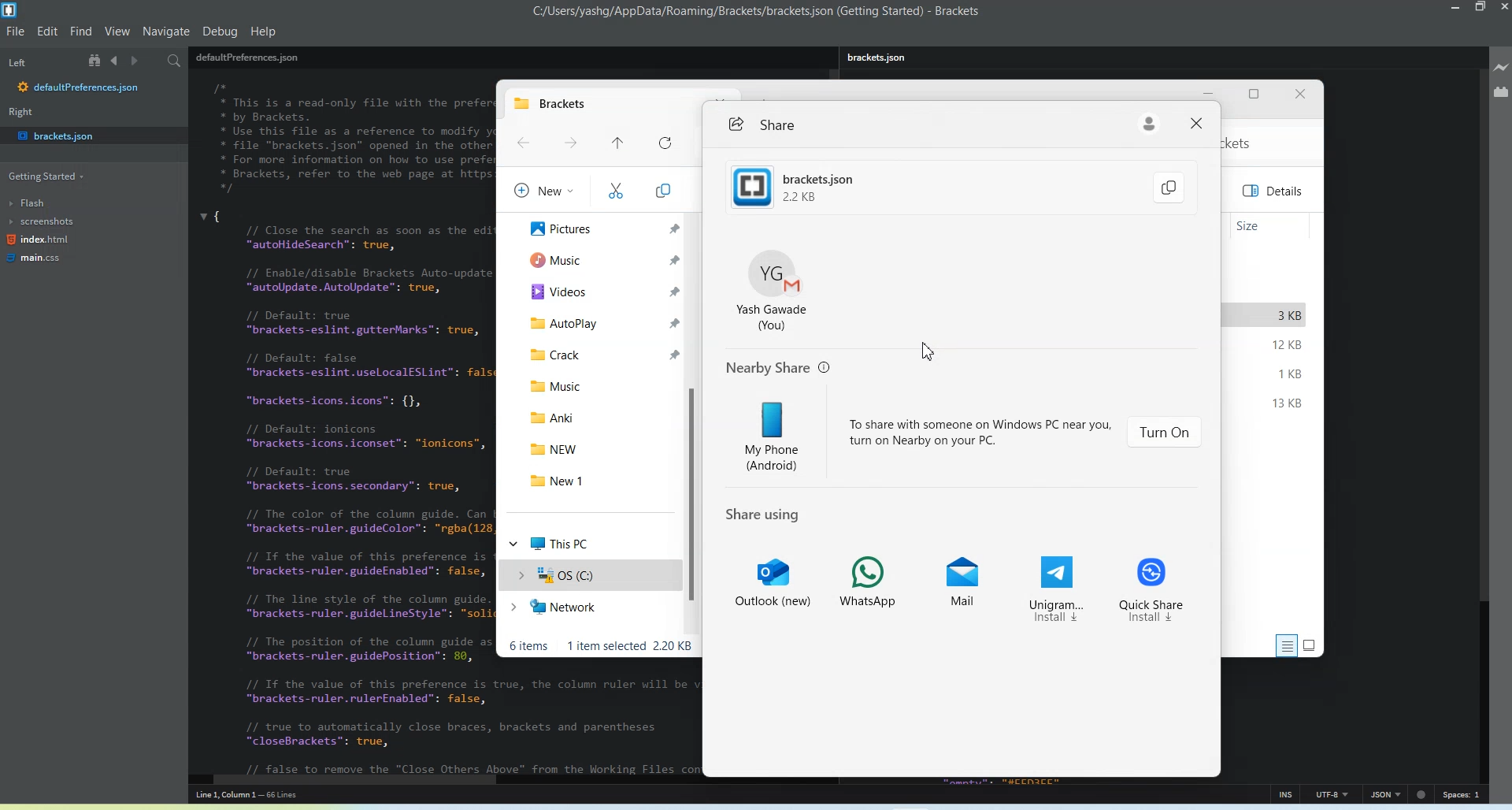 Image resolution: width=1512 pixels, height=810 pixels. I want to click on Left, so click(17, 62).